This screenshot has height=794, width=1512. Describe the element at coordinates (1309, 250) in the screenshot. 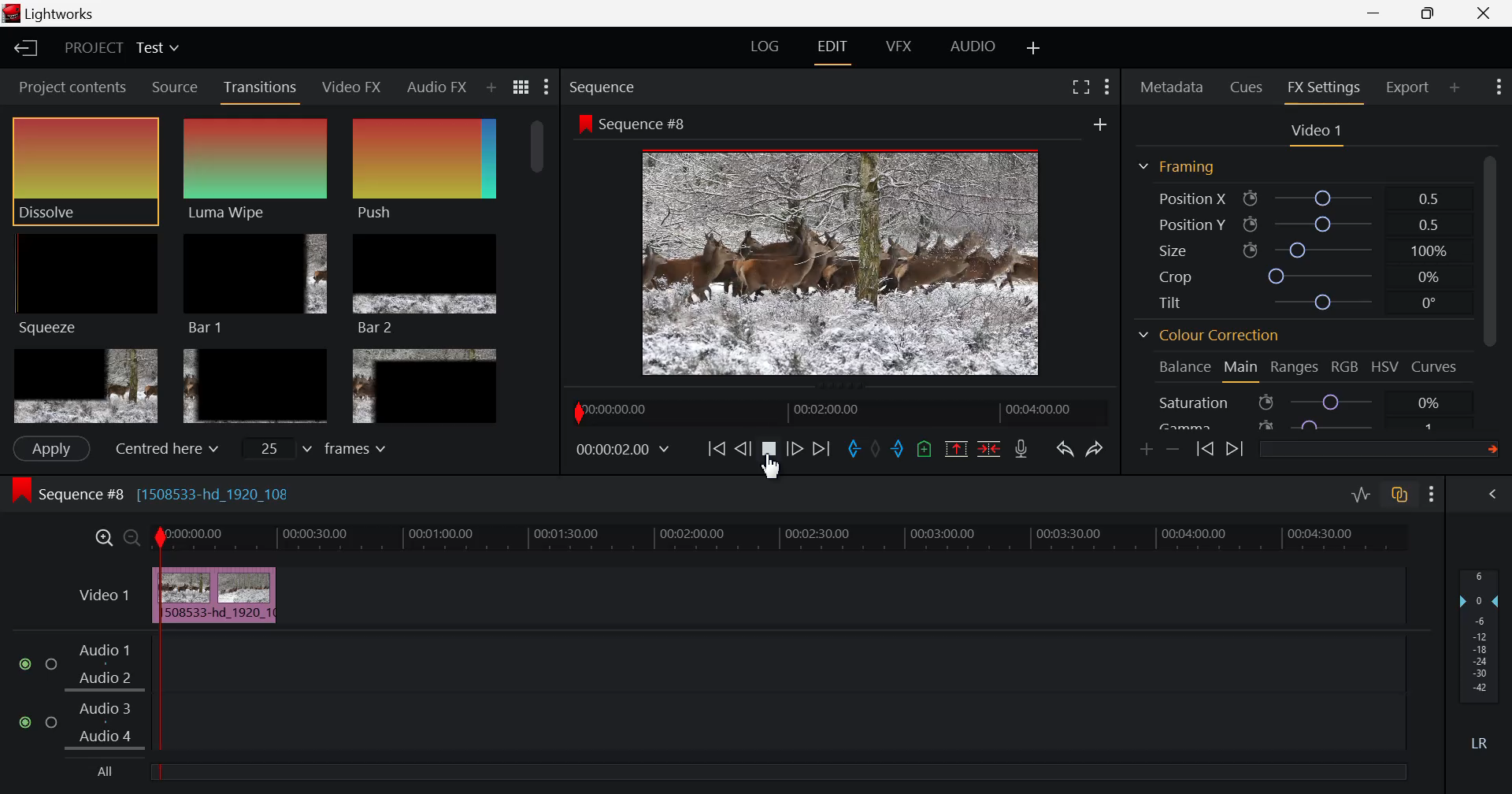

I see `Size` at that location.